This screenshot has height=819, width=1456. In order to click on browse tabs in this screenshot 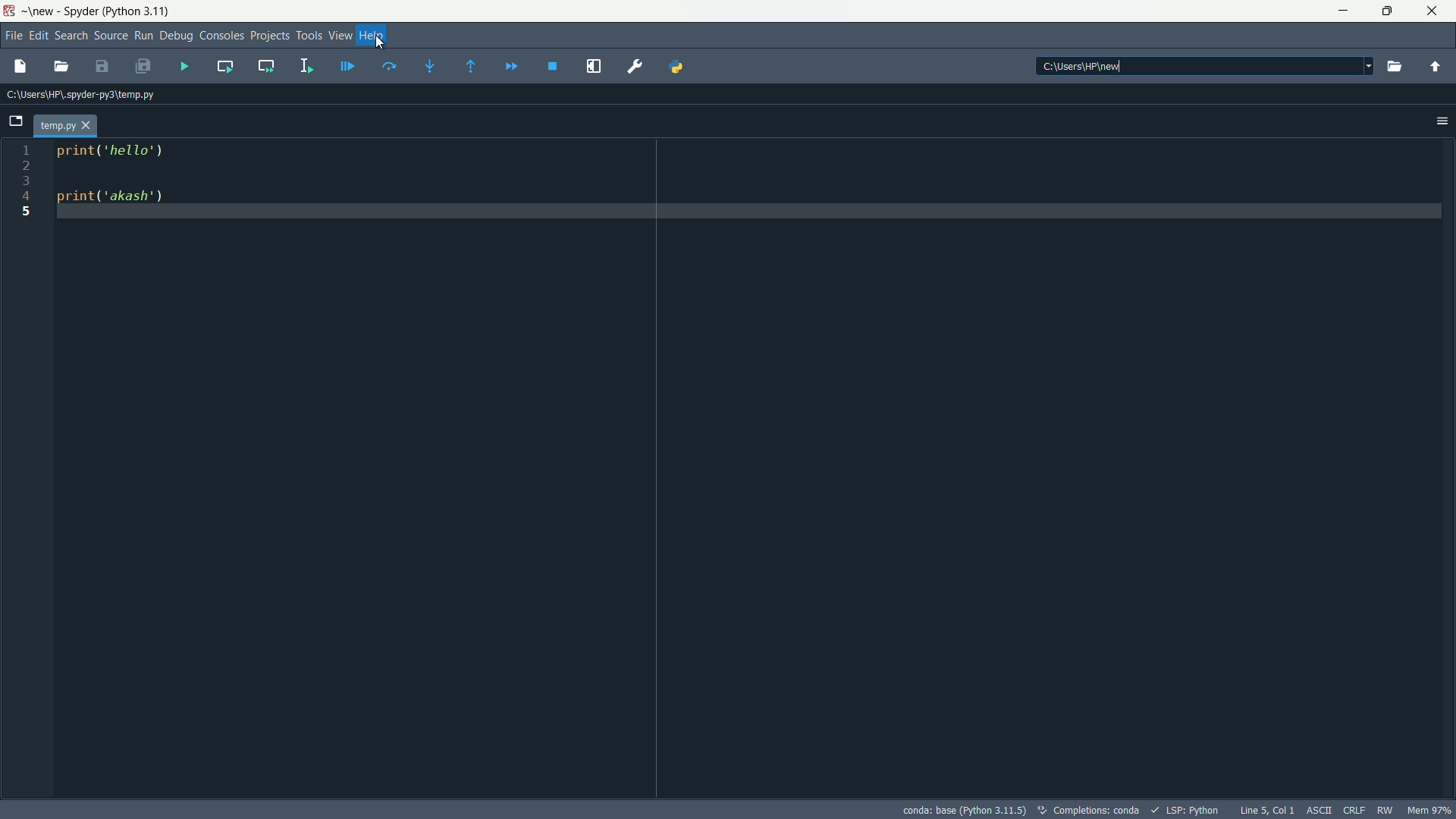, I will do `click(15, 122)`.